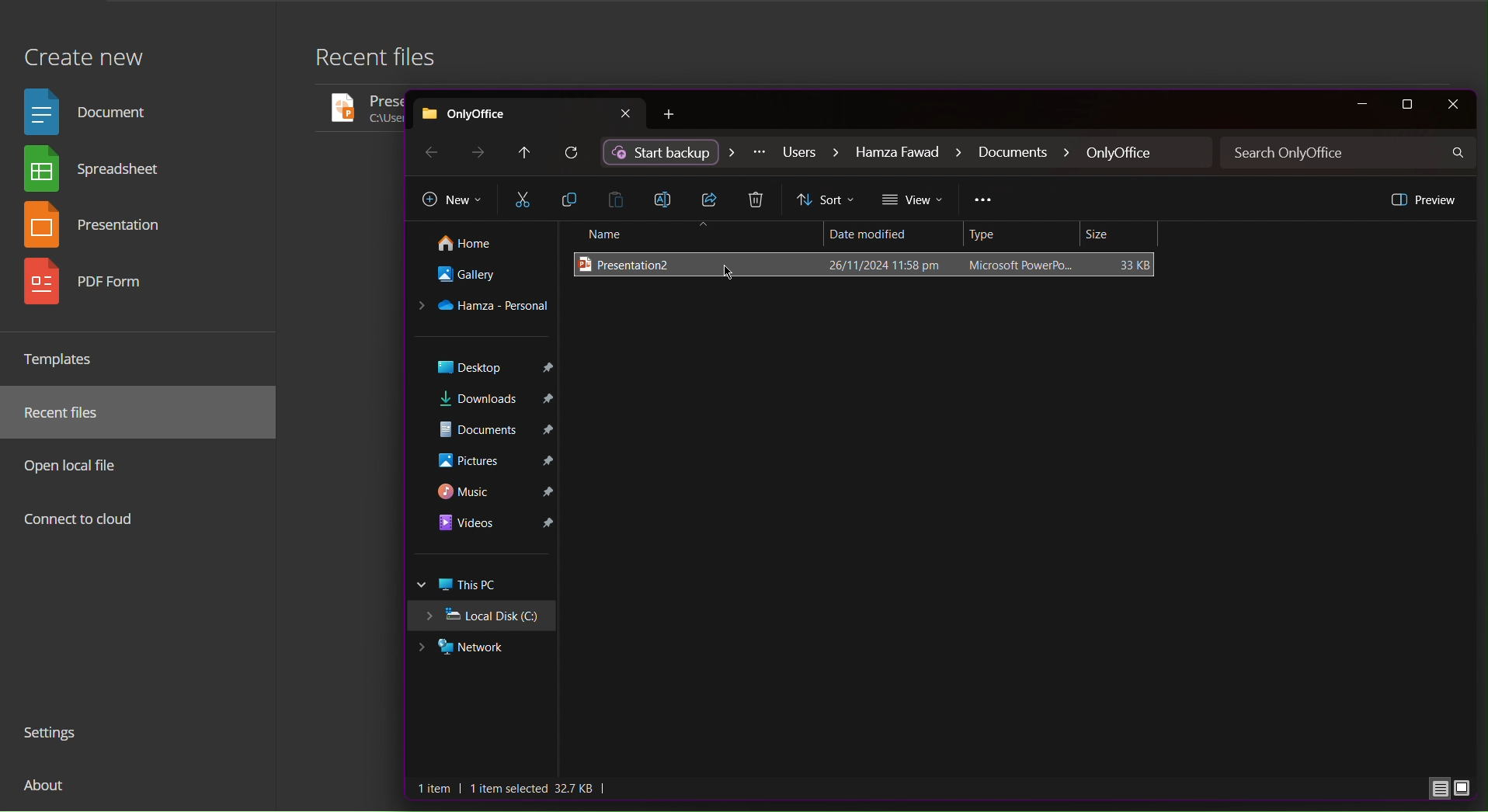 Image resolution: width=1488 pixels, height=812 pixels. Describe the element at coordinates (71, 413) in the screenshot. I see `Recent Files` at that location.